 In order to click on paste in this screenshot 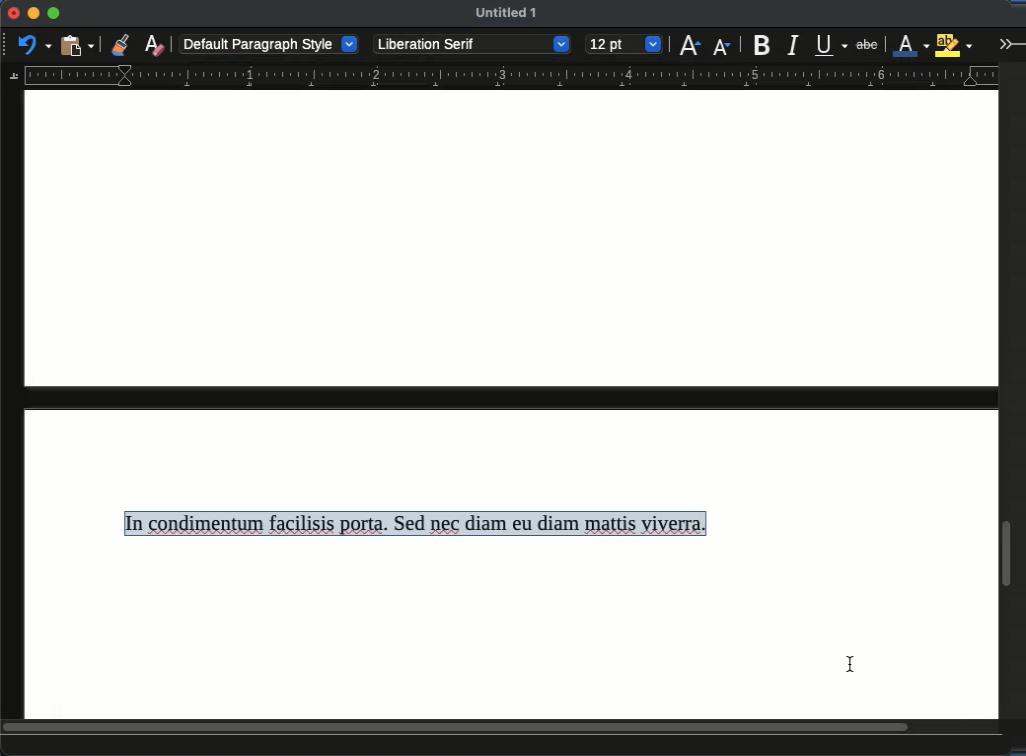, I will do `click(79, 44)`.